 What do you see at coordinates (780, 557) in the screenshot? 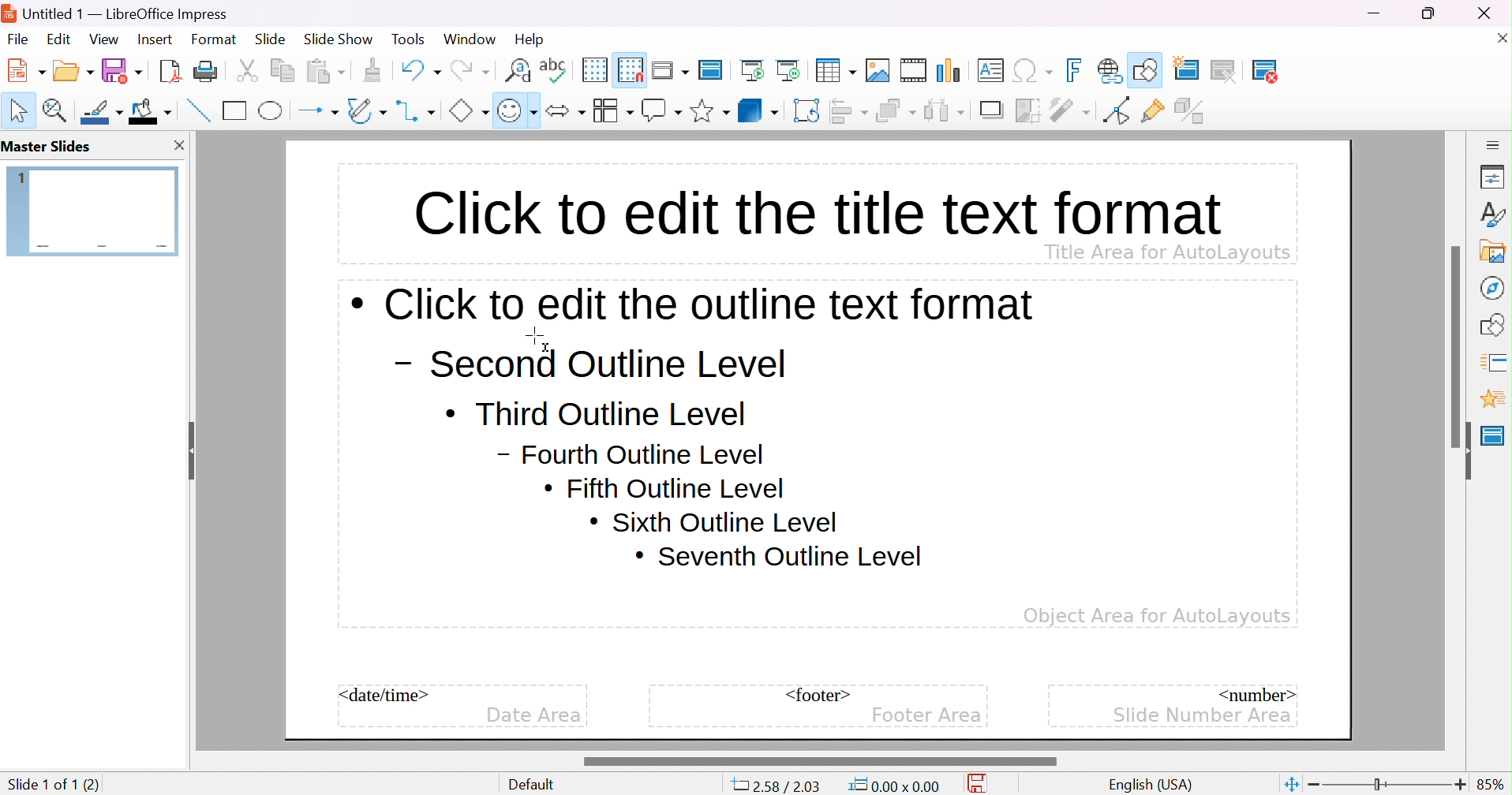
I see `seventh outline level` at bounding box center [780, 557].